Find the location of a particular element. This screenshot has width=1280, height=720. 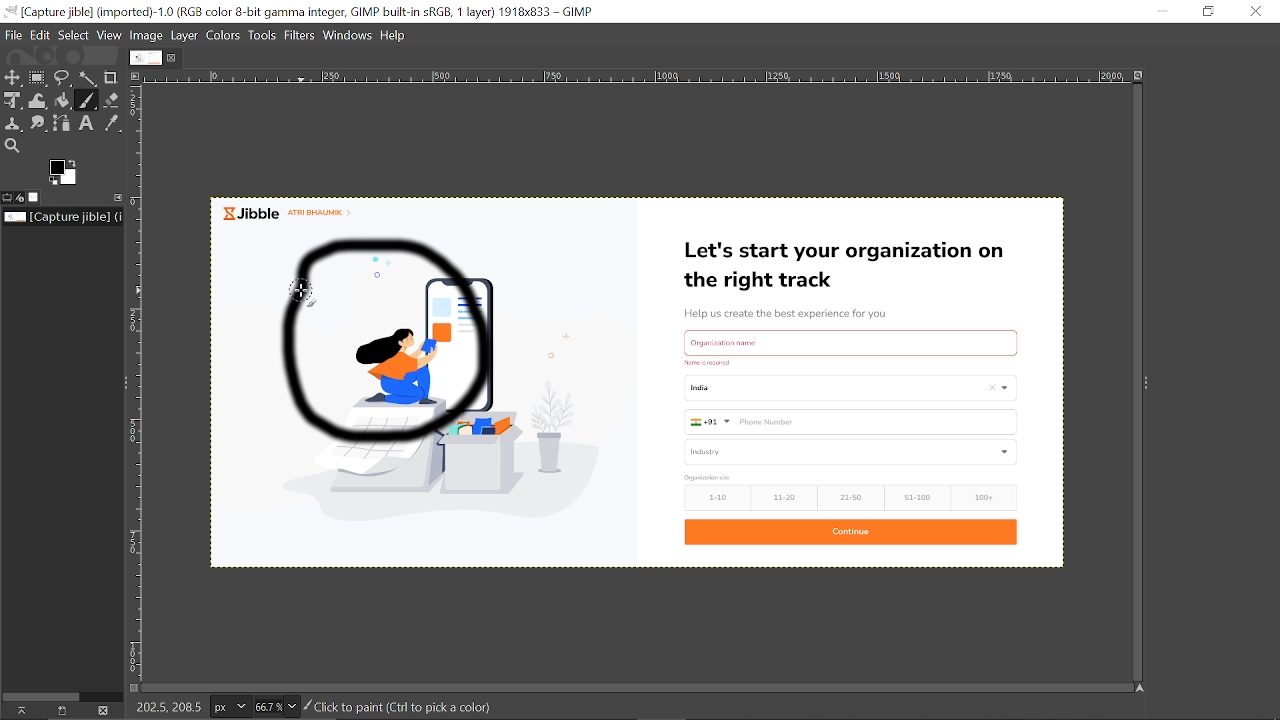

Free select ttol is located at coordinates (64, 79).